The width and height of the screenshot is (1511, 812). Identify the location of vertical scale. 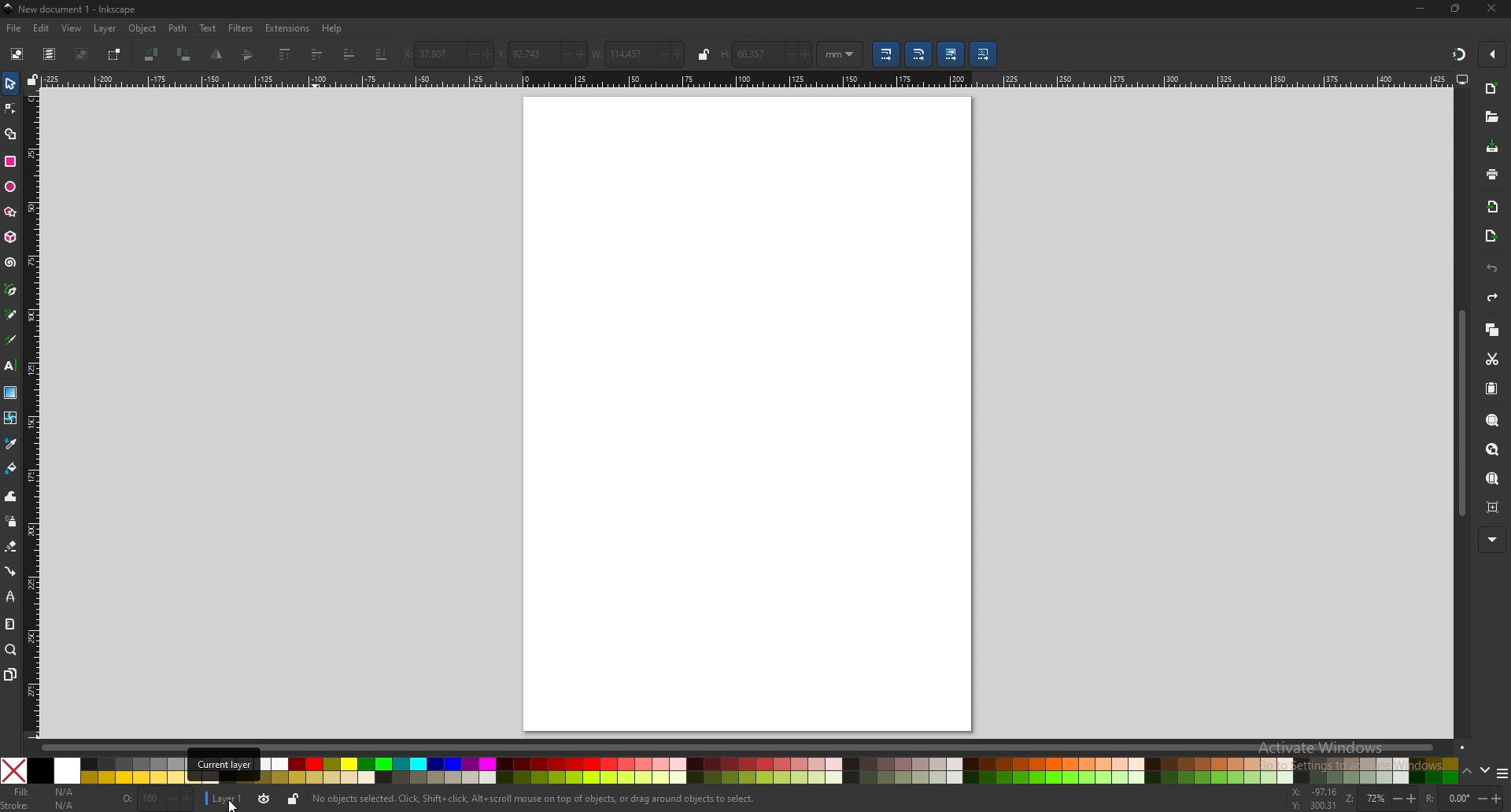
(33, 410).